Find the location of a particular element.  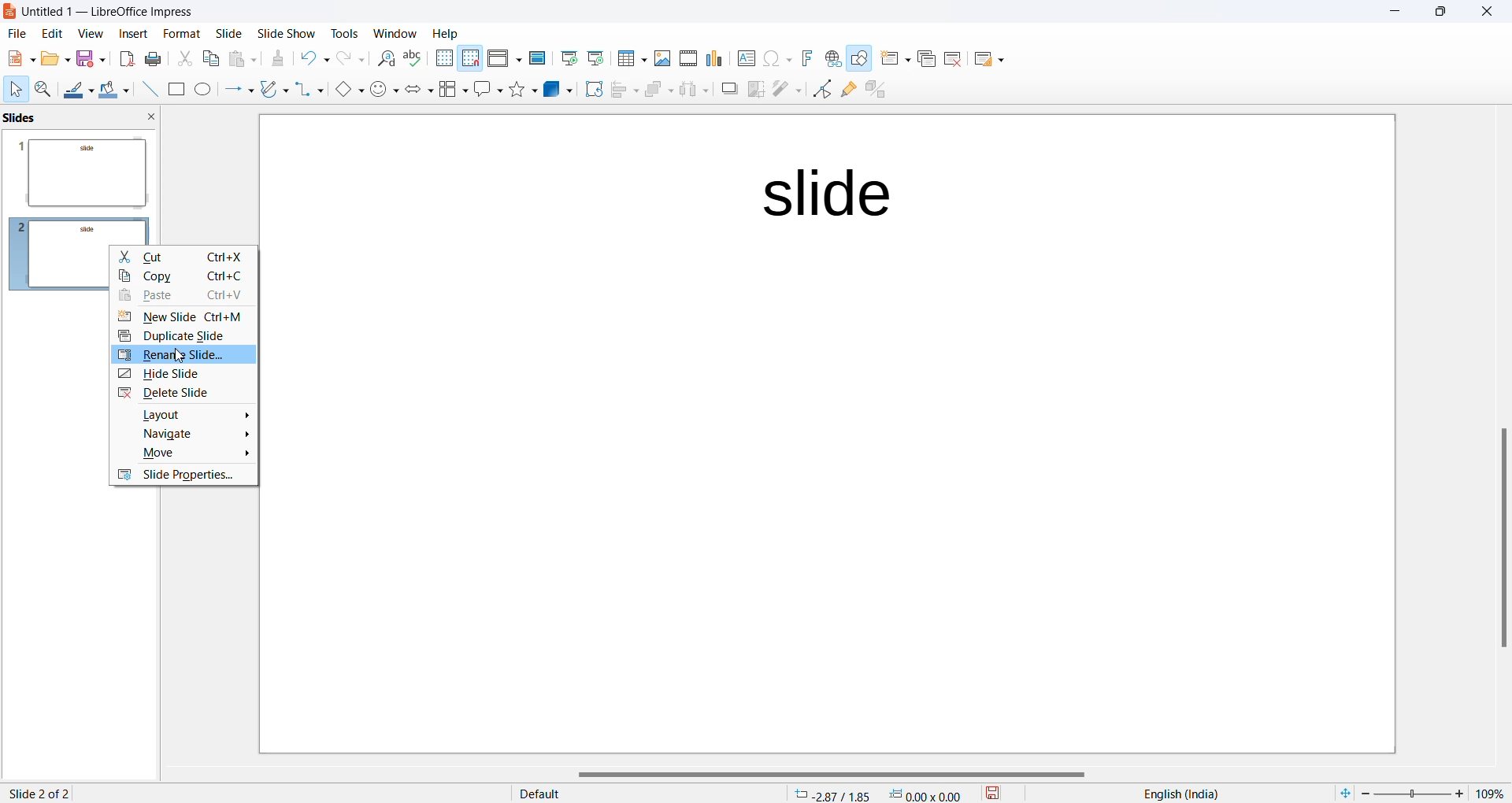

cut is located at coordinates (181, 257).